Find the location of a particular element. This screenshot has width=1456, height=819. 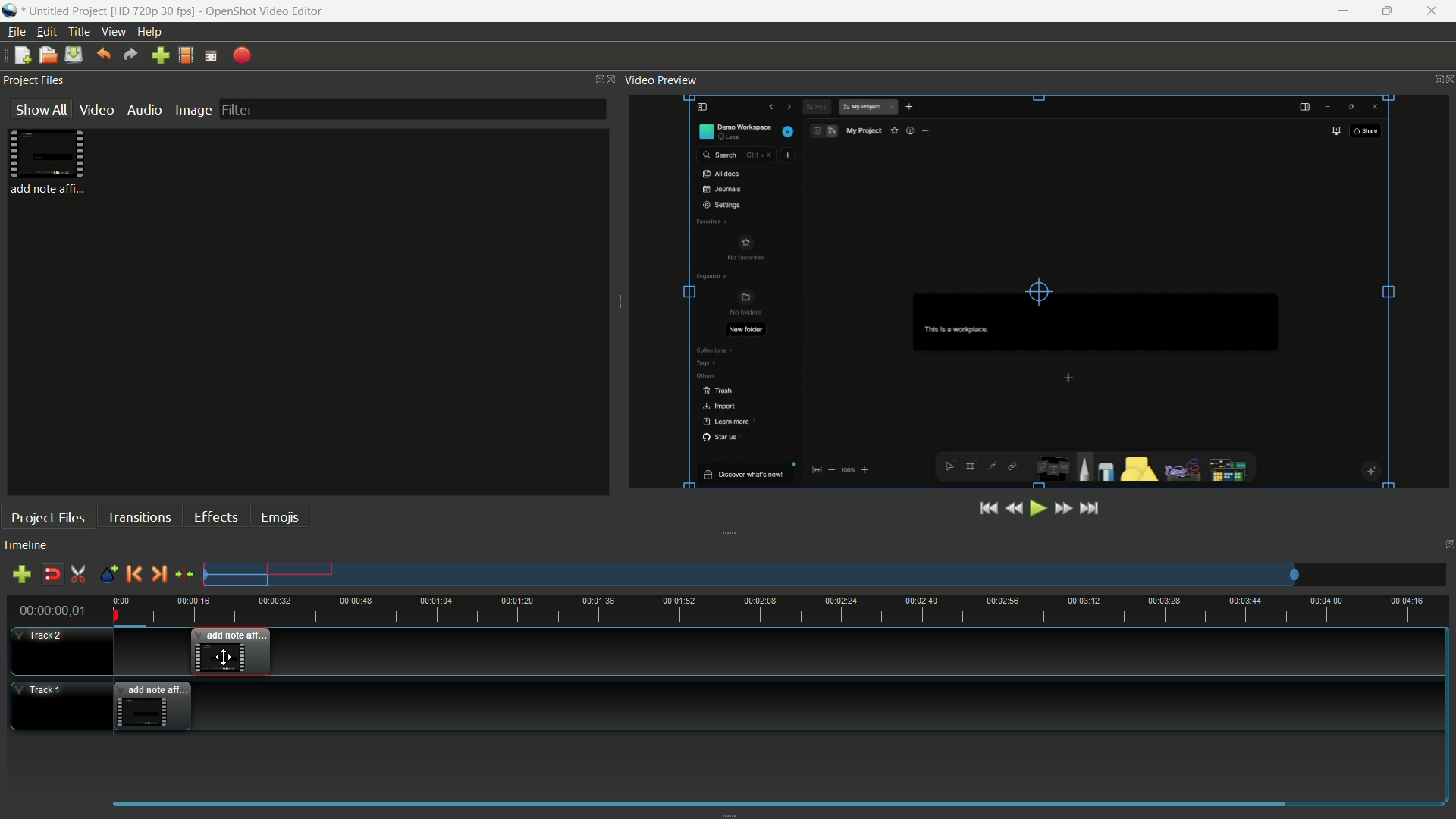

scrollbar is located at coordinates (699, 801).